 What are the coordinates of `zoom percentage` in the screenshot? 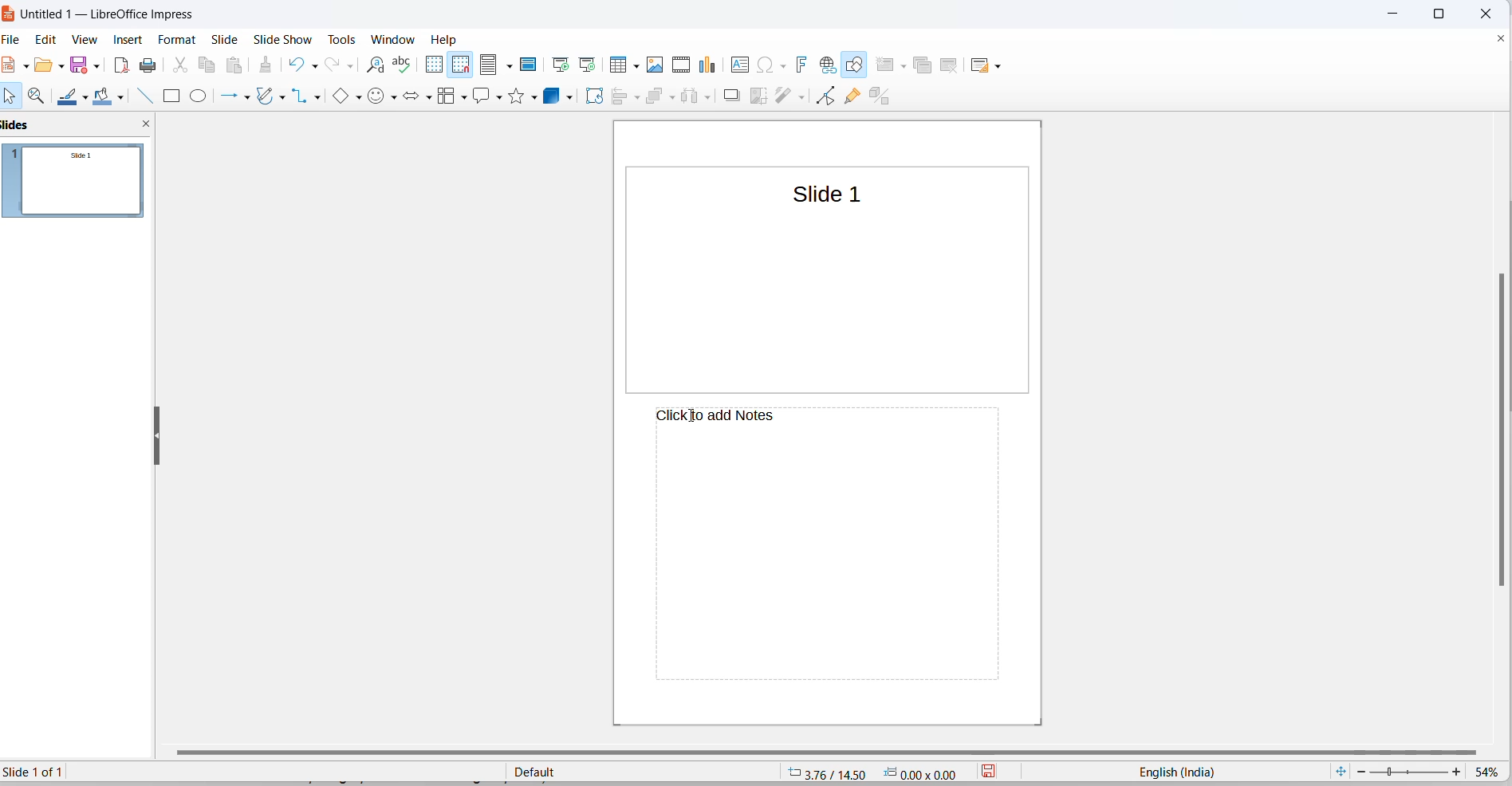 It's located at (1490, 772).